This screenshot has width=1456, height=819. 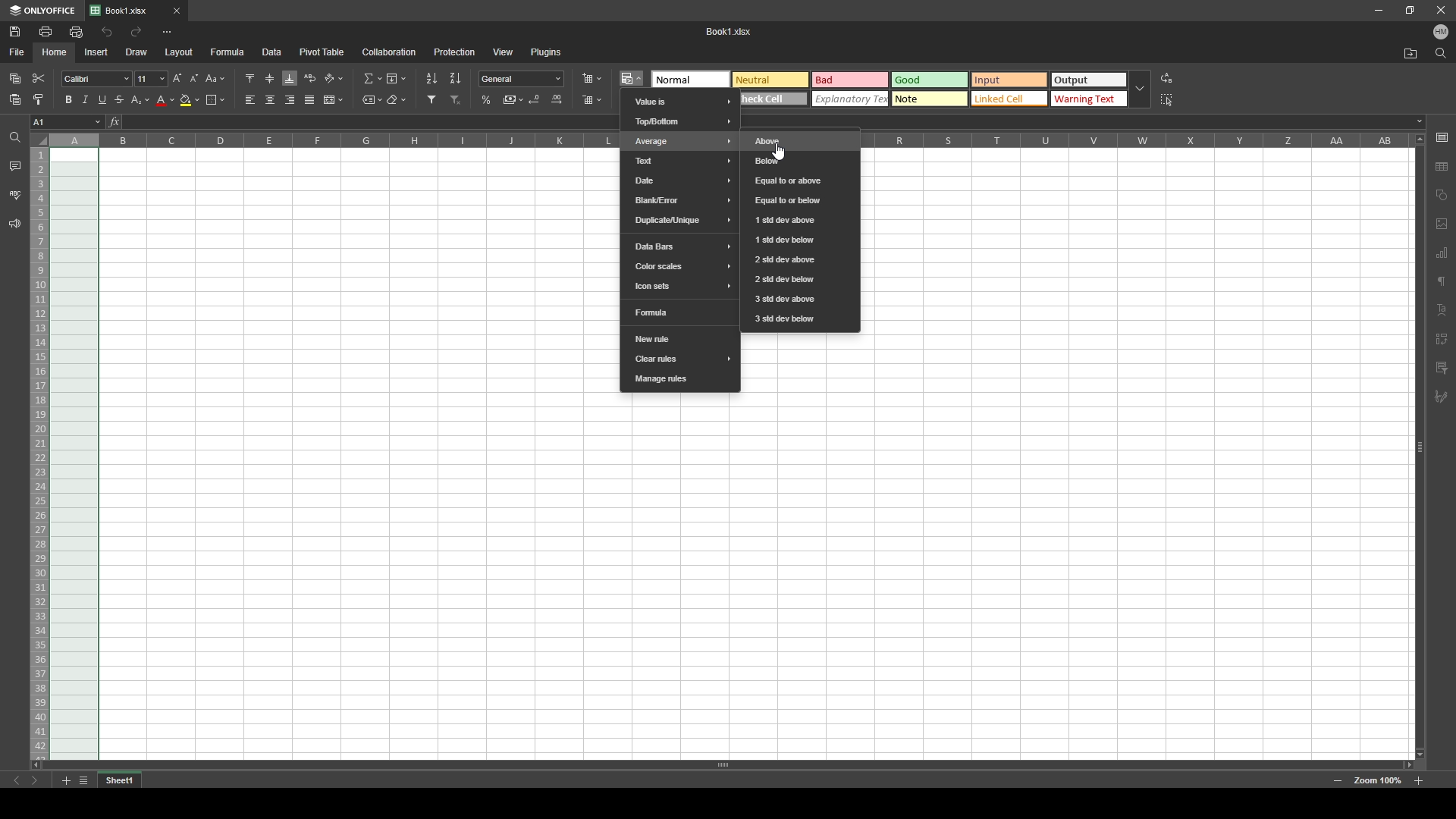 What do you see at coordinates (800, 181) in the screenshot?
I see `equal to or above` at bounding box center [800, 181].